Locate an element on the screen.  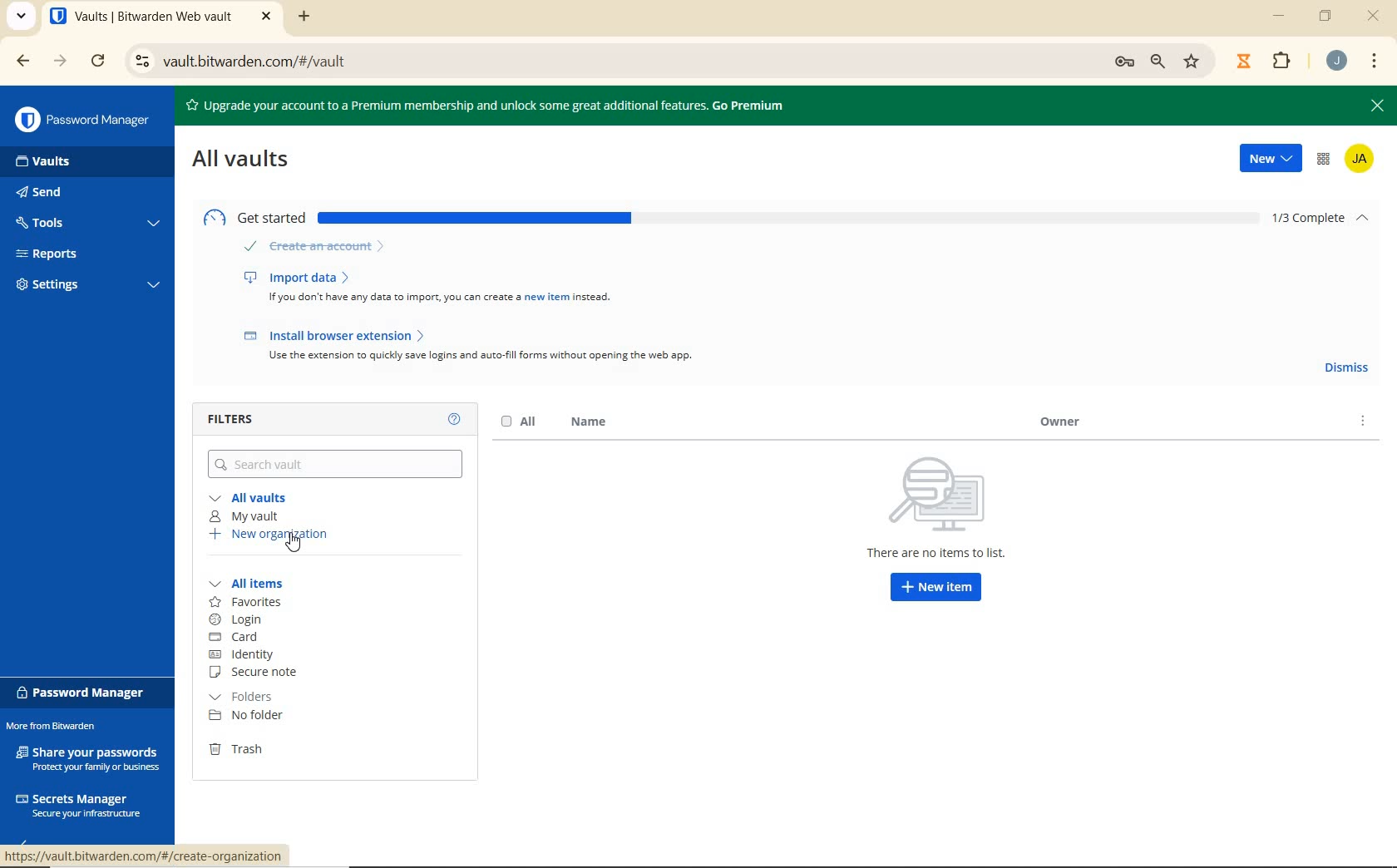
install browser extension is located at coordinates (472, 345).